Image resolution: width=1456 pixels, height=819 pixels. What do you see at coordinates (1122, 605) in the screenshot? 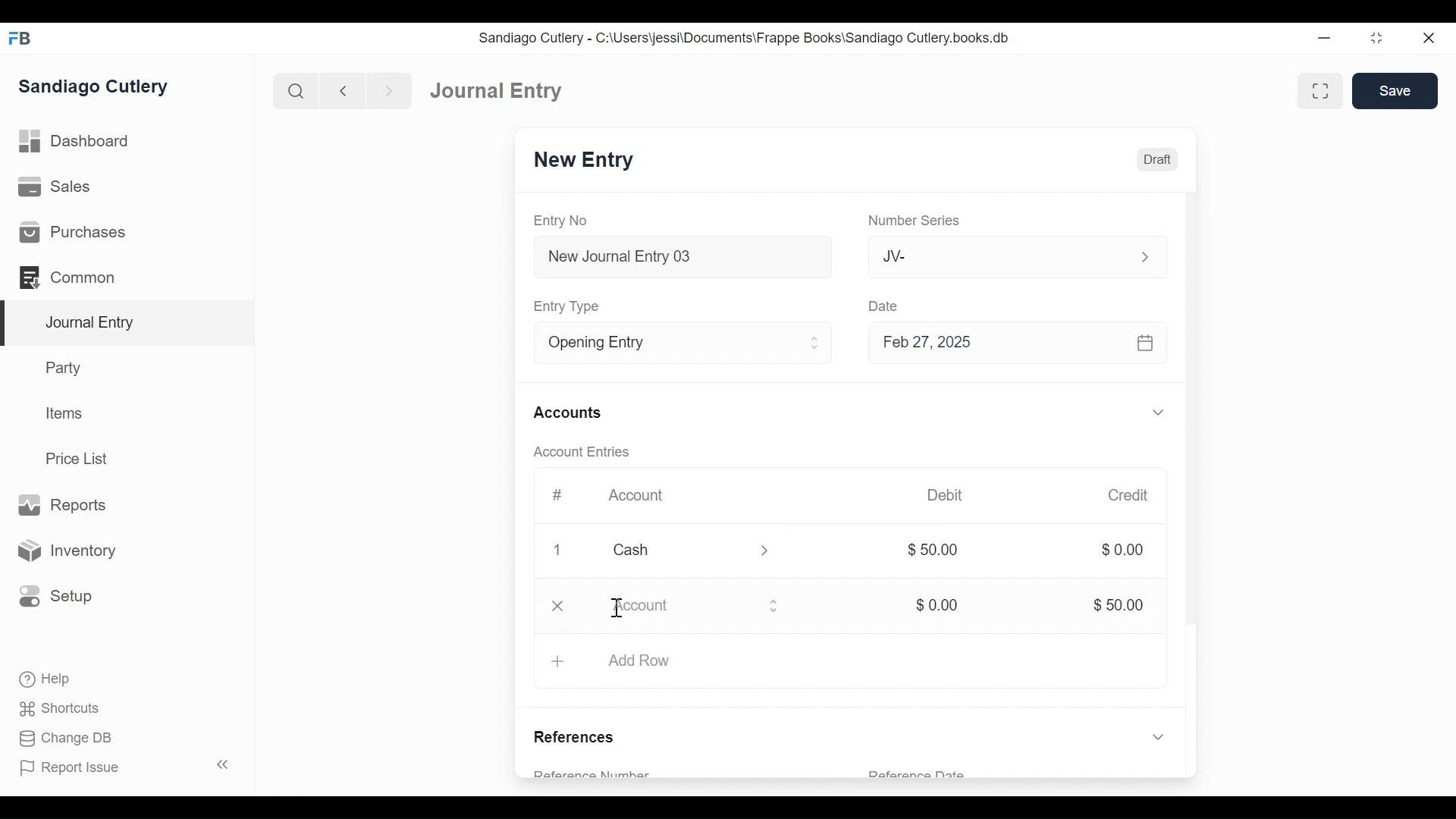
I see `$50.00` at bounding box center [1122, 605].